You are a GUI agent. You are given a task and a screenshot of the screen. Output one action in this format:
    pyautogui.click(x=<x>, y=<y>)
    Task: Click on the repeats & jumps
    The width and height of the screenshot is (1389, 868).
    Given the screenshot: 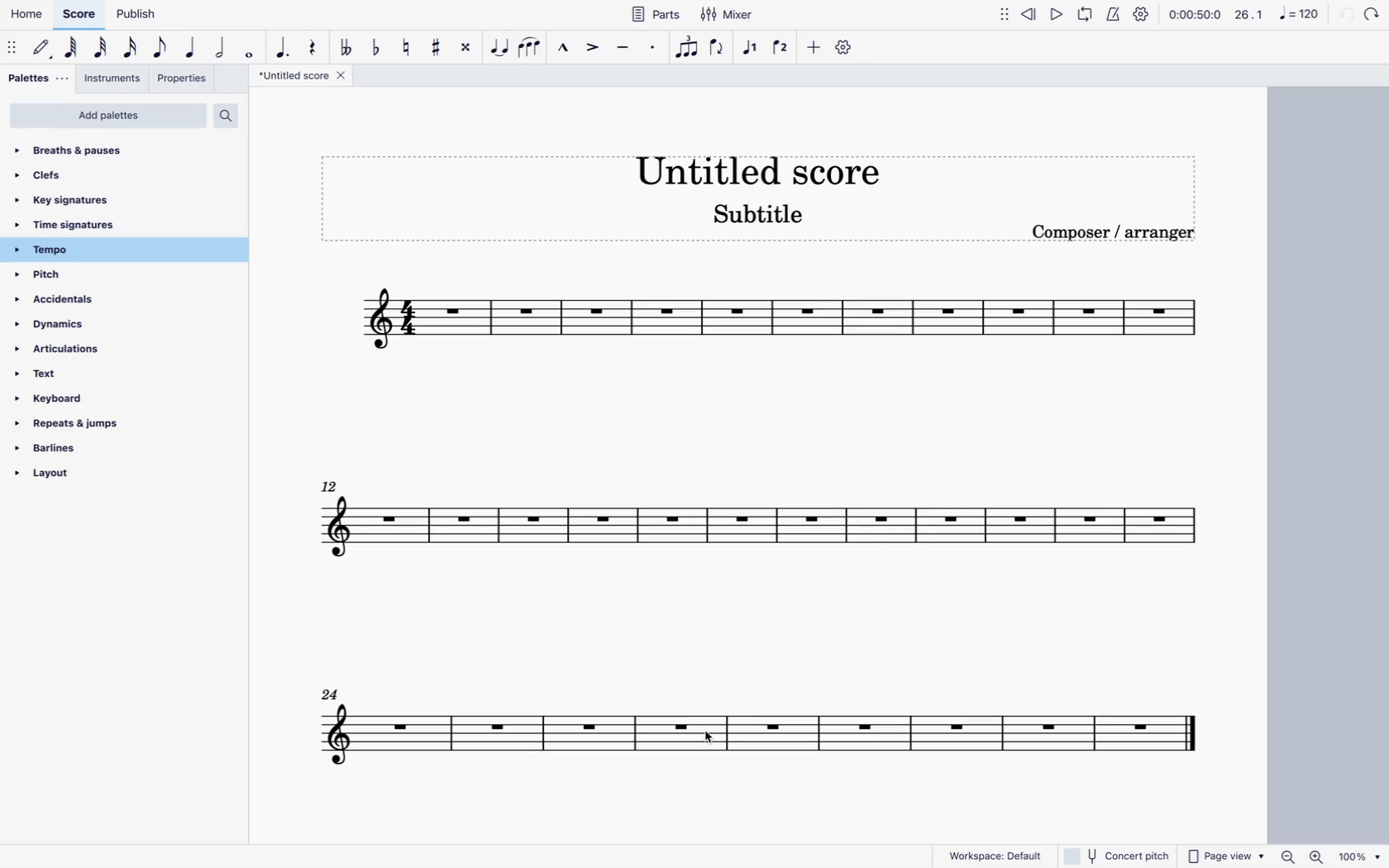 What is the action you would take?
    pyautogui.click(x=94, y=423)
    